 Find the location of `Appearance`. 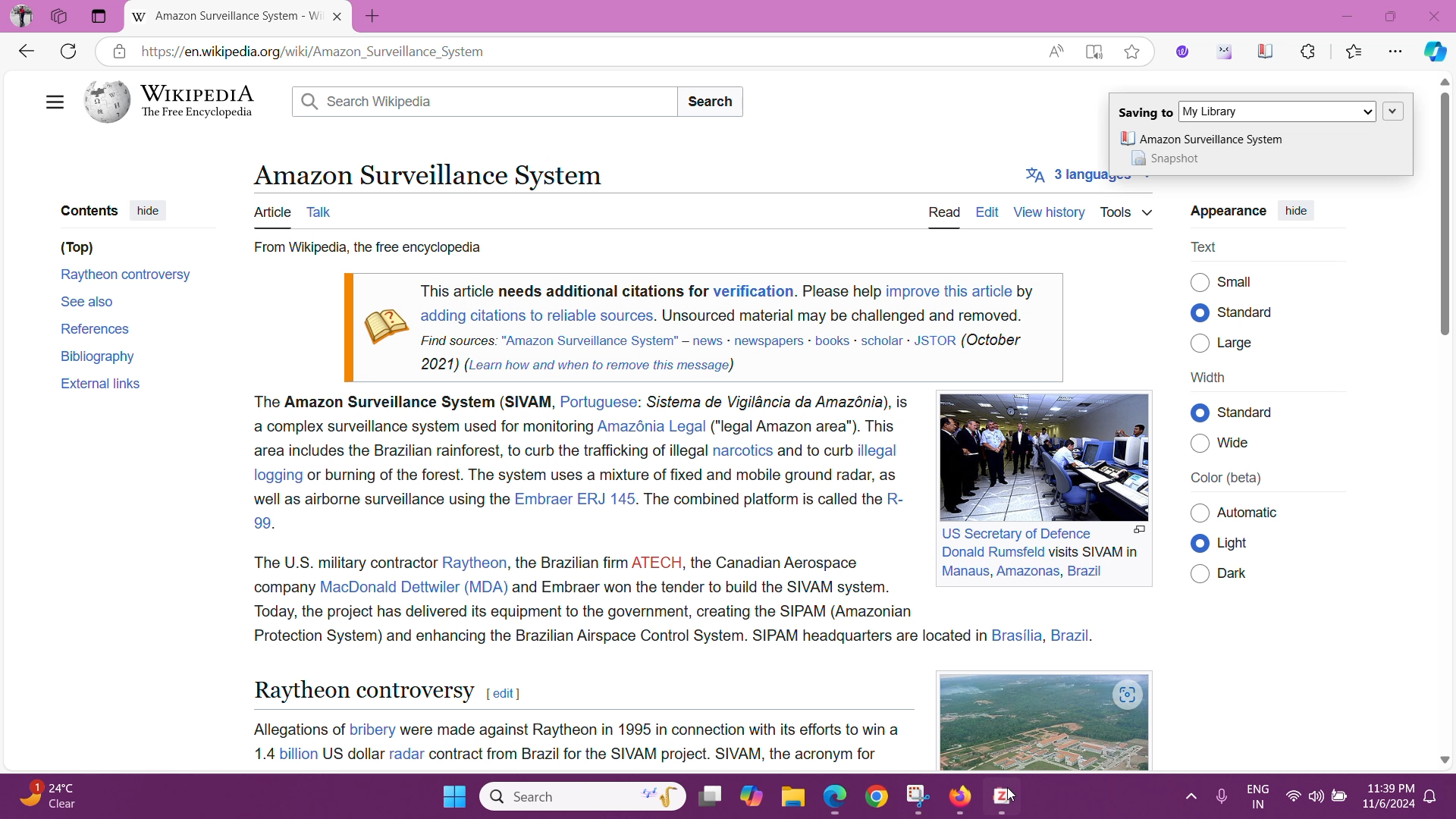

Appearance is located at coordinates (1226, 212).